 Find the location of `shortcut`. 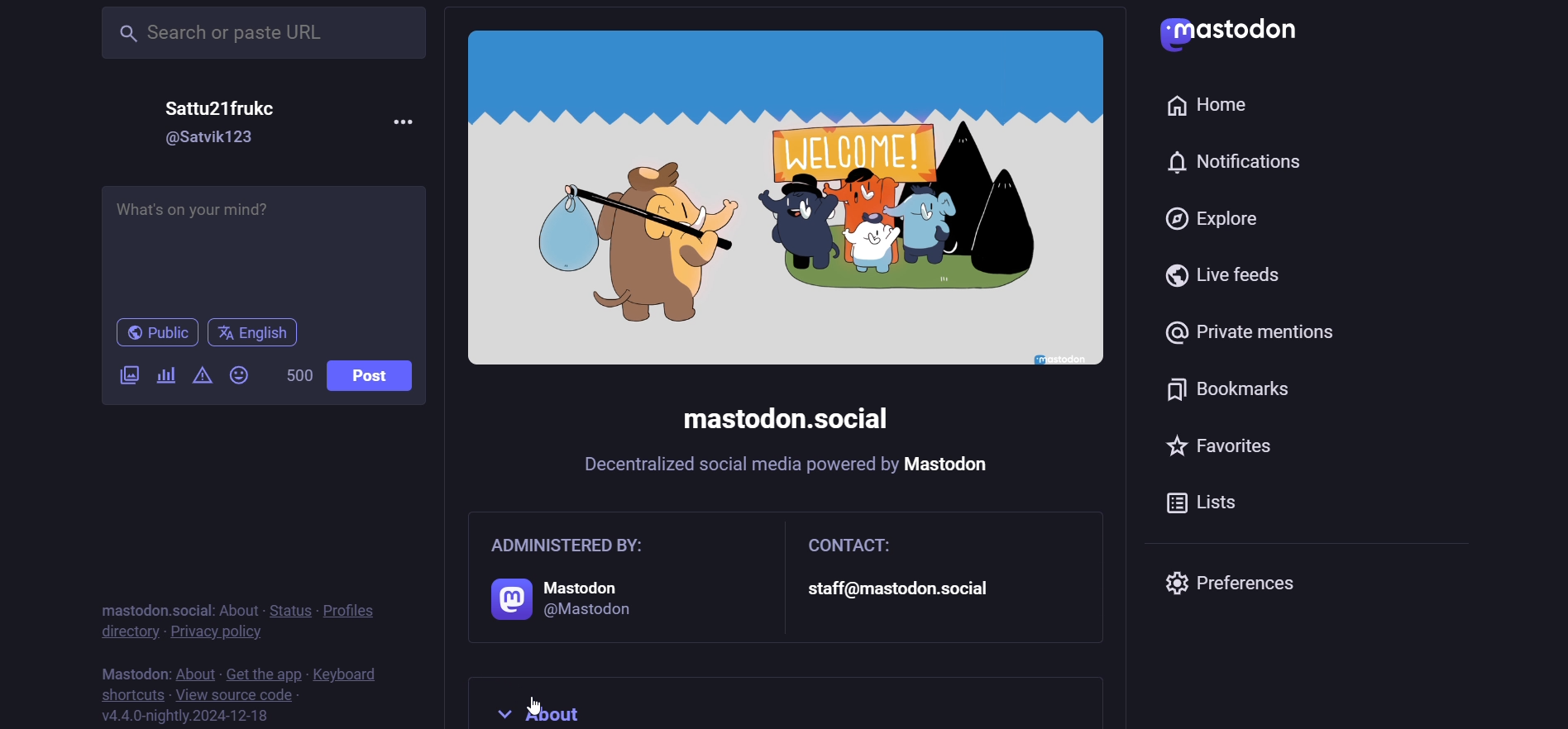

shortcut is located at coordinates (127, 693).